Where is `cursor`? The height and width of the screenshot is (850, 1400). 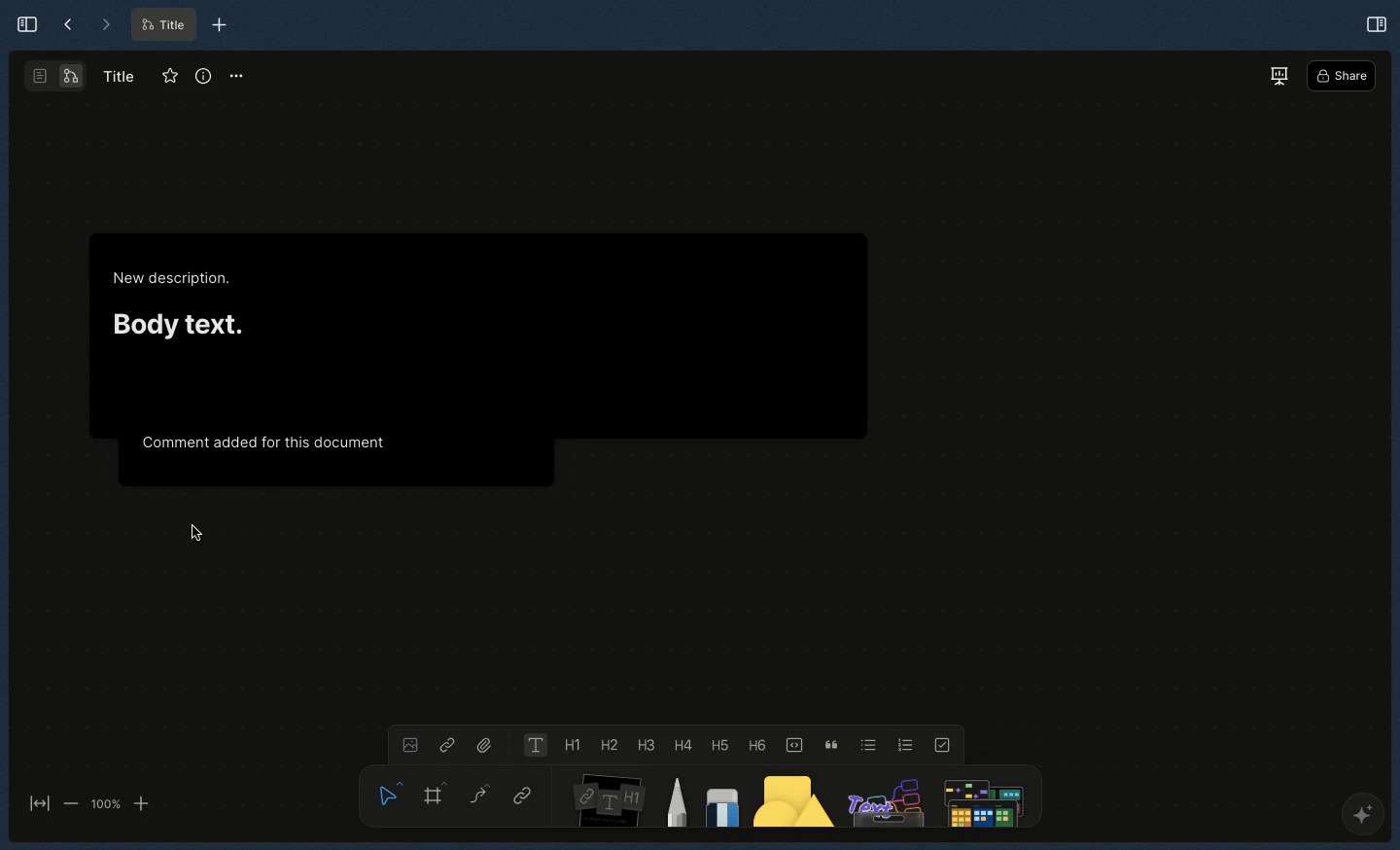
cursor is located at coordinates (197, 535).